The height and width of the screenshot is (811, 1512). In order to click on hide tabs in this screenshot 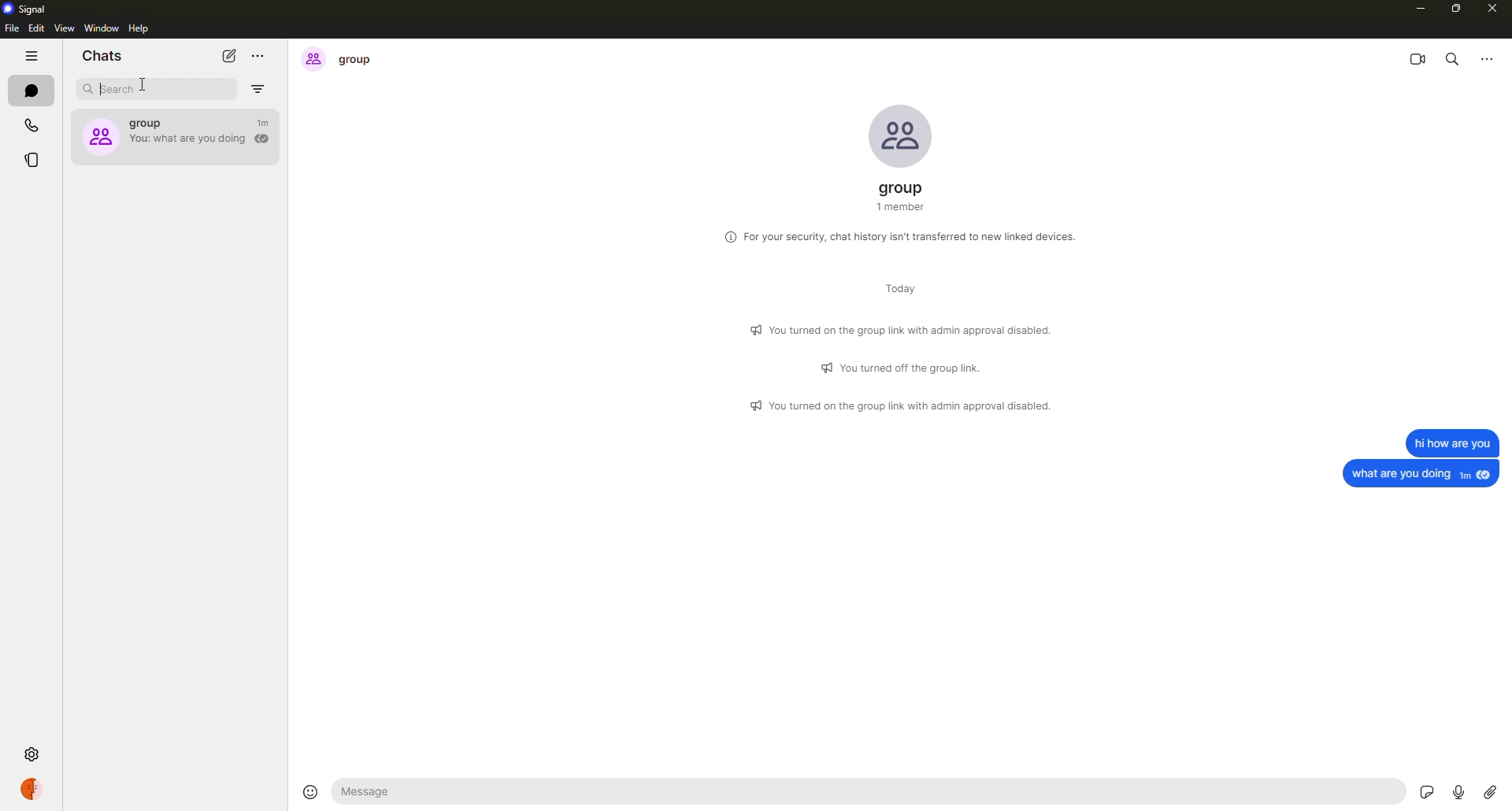, I will do `click(31, 57)`.